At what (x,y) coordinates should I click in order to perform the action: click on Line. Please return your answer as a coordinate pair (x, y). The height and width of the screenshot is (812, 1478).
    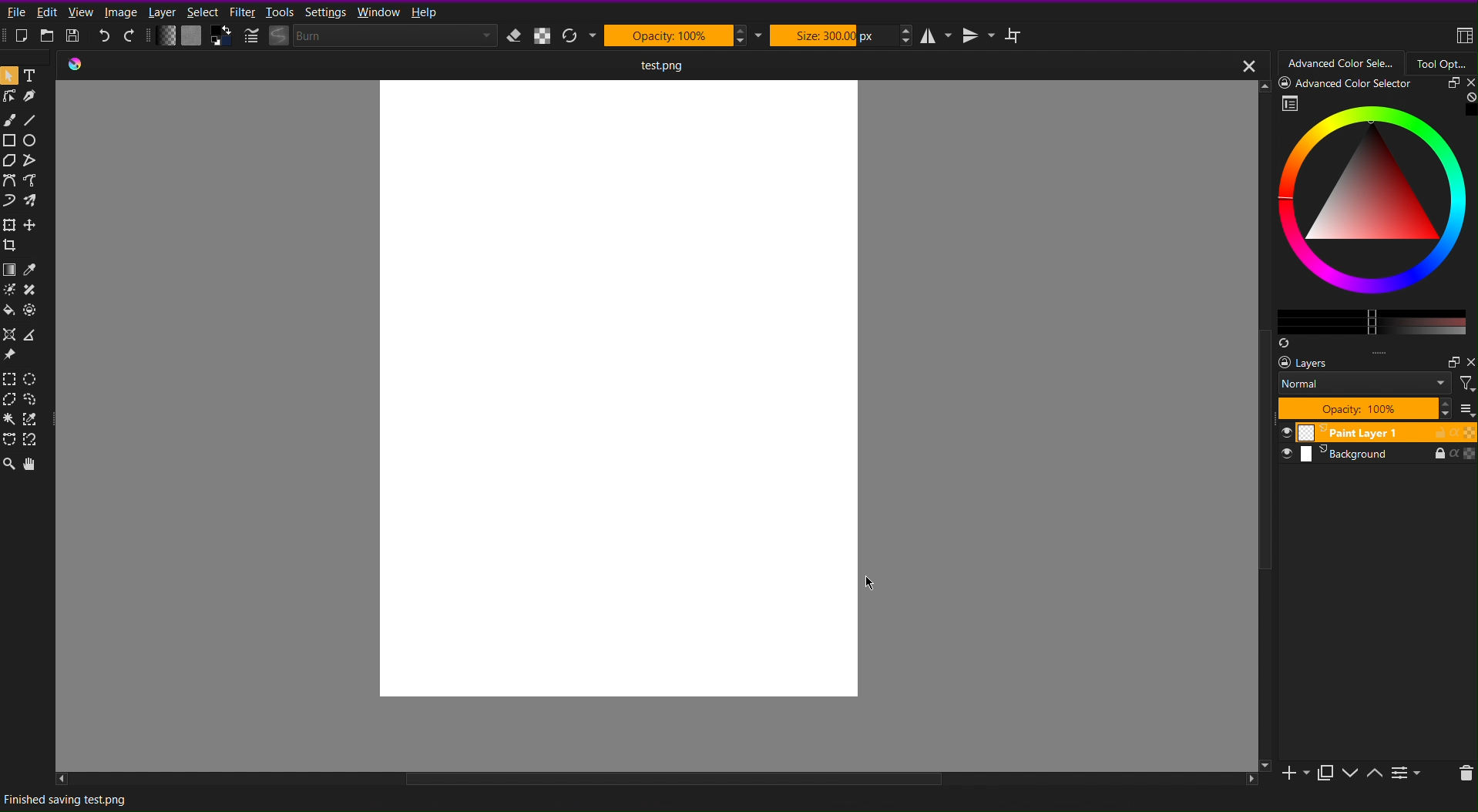
    Looking at the image, I should click on (31, 120).